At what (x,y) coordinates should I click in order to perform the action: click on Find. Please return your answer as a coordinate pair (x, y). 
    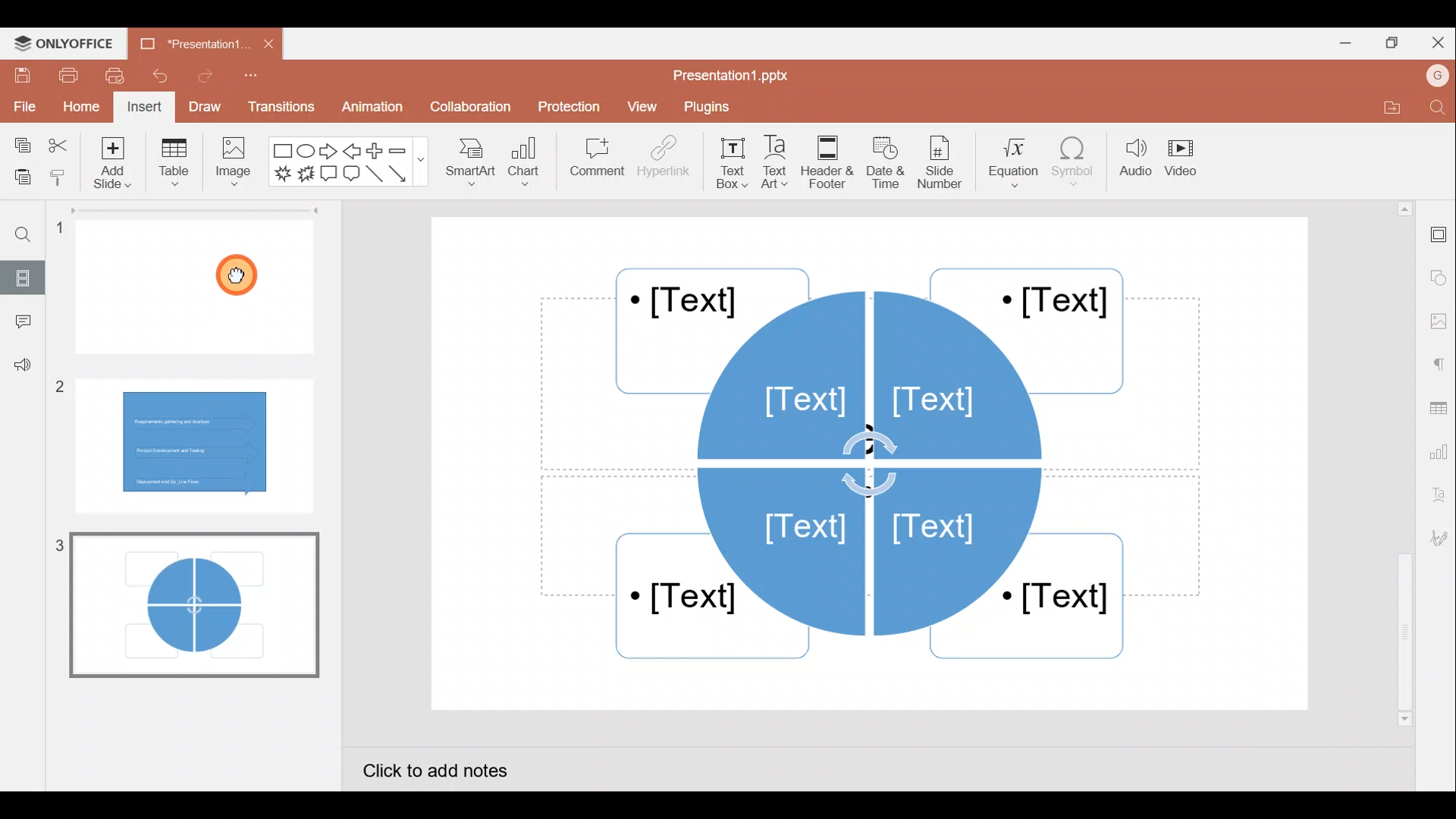
    Looking at the image, I should click on (1435, 108).